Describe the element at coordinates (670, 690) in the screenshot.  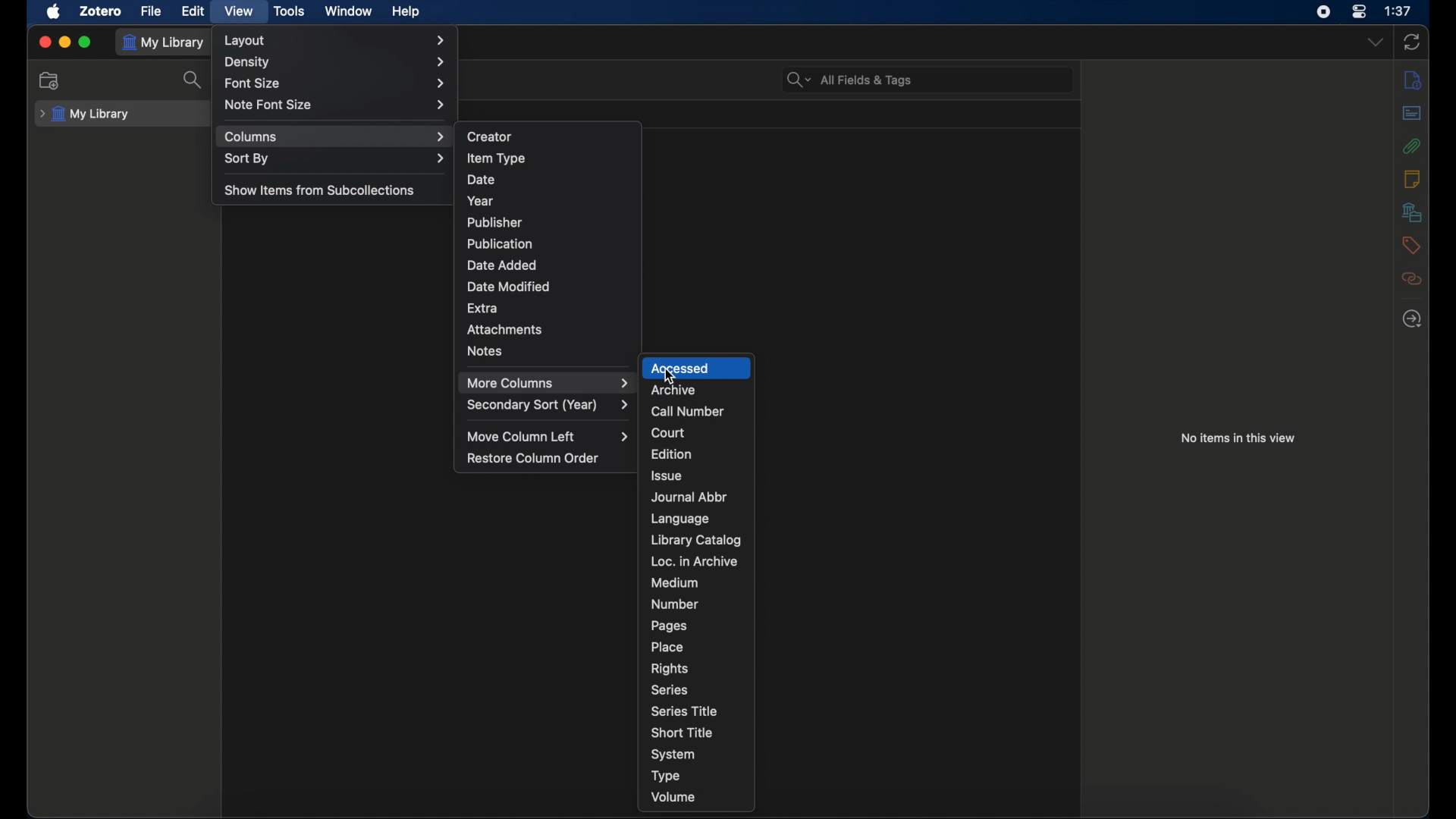
I see `series` at that location.